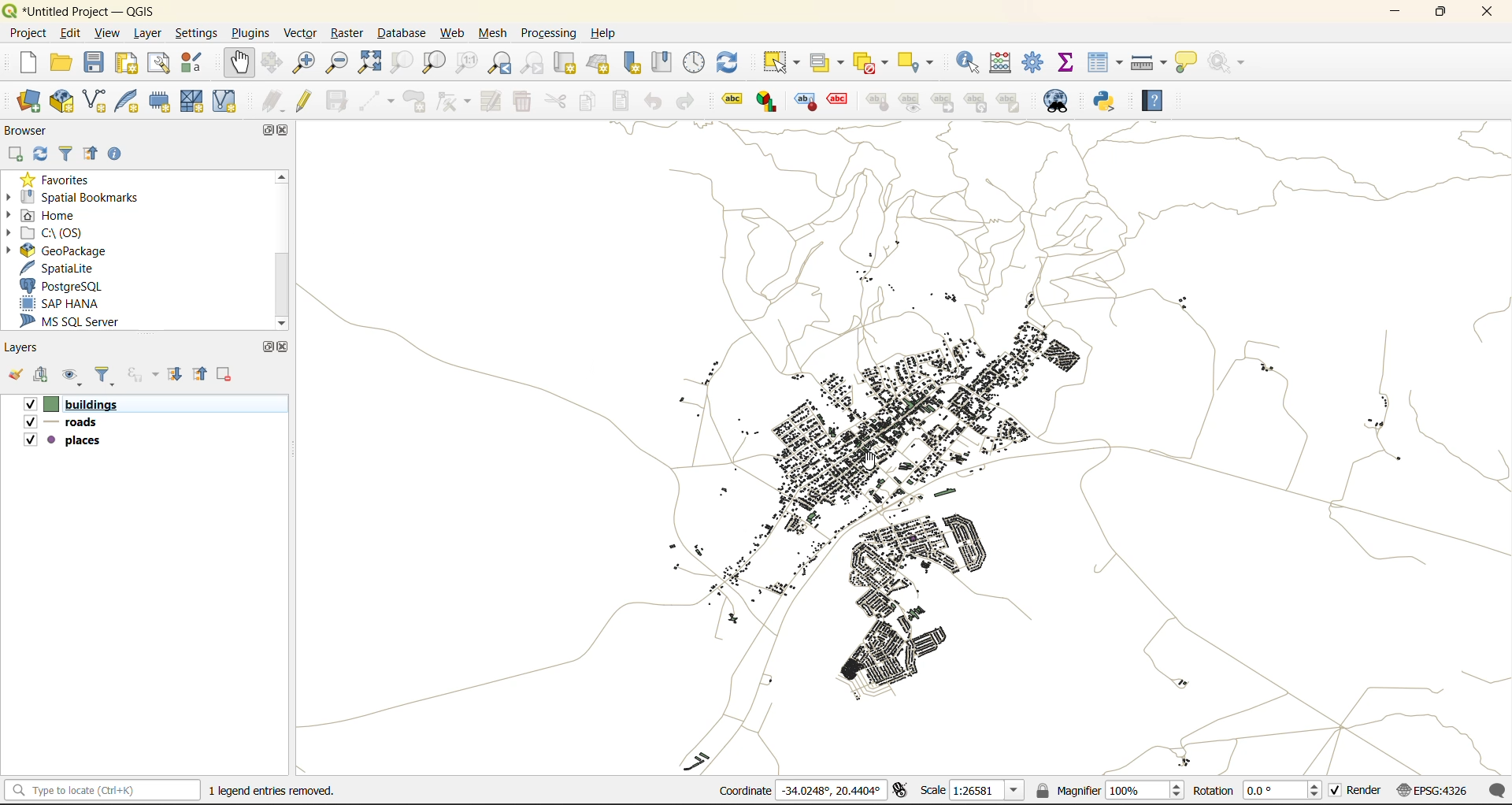 This screenshot has height=805, width=1512. Describe the element at coordinates (305, 99) in the screenshot. I see `toggle edits` at that location.